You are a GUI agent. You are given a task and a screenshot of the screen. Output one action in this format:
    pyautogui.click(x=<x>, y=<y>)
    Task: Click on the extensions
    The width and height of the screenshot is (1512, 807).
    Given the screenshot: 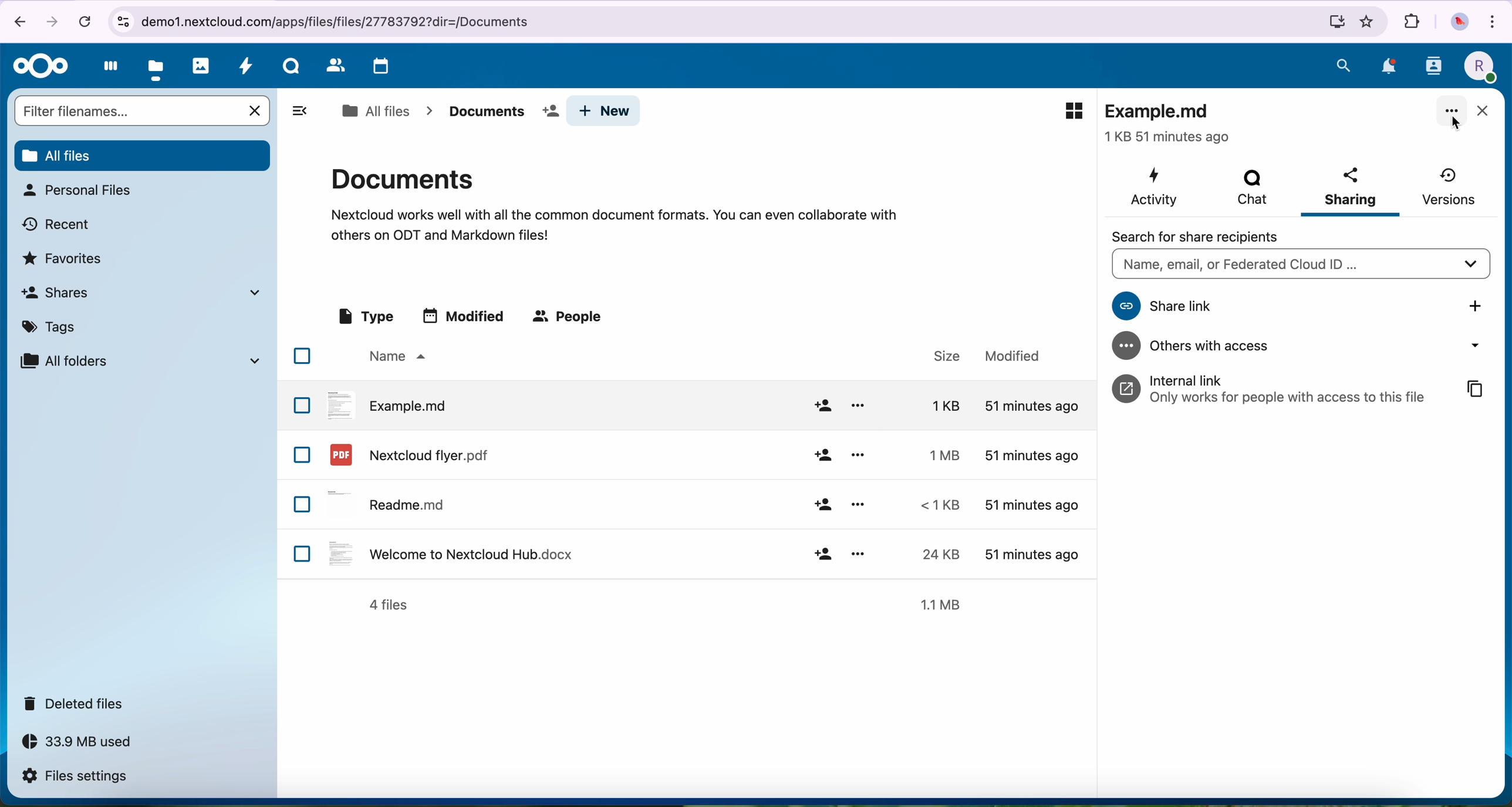 What is the action you would take?
    pyautogui.click(x=1412, y=22)
    